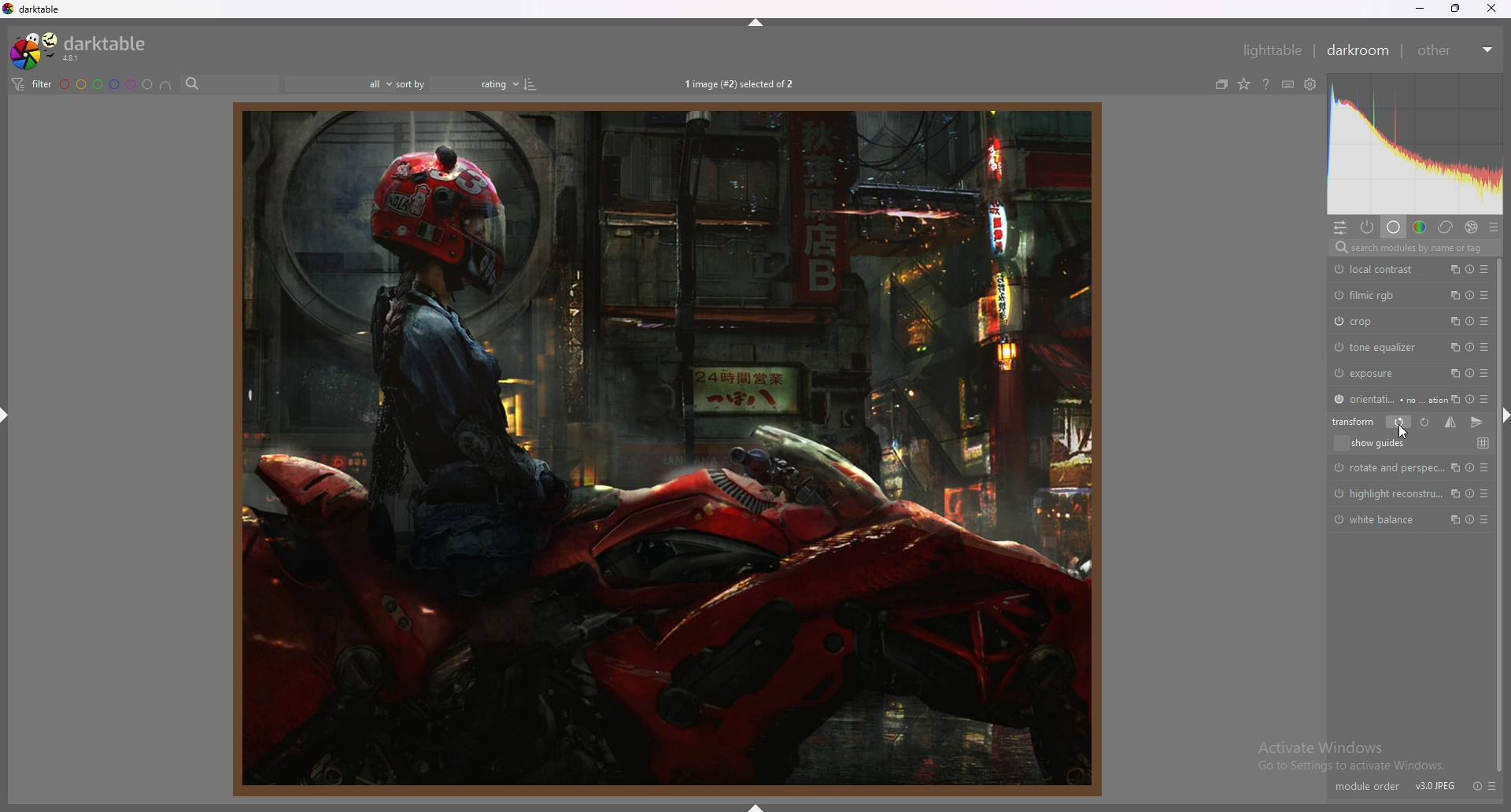 The height and width of the screenshot is (812, 1511). I want to click on quick access panel, so click(1340, 227).